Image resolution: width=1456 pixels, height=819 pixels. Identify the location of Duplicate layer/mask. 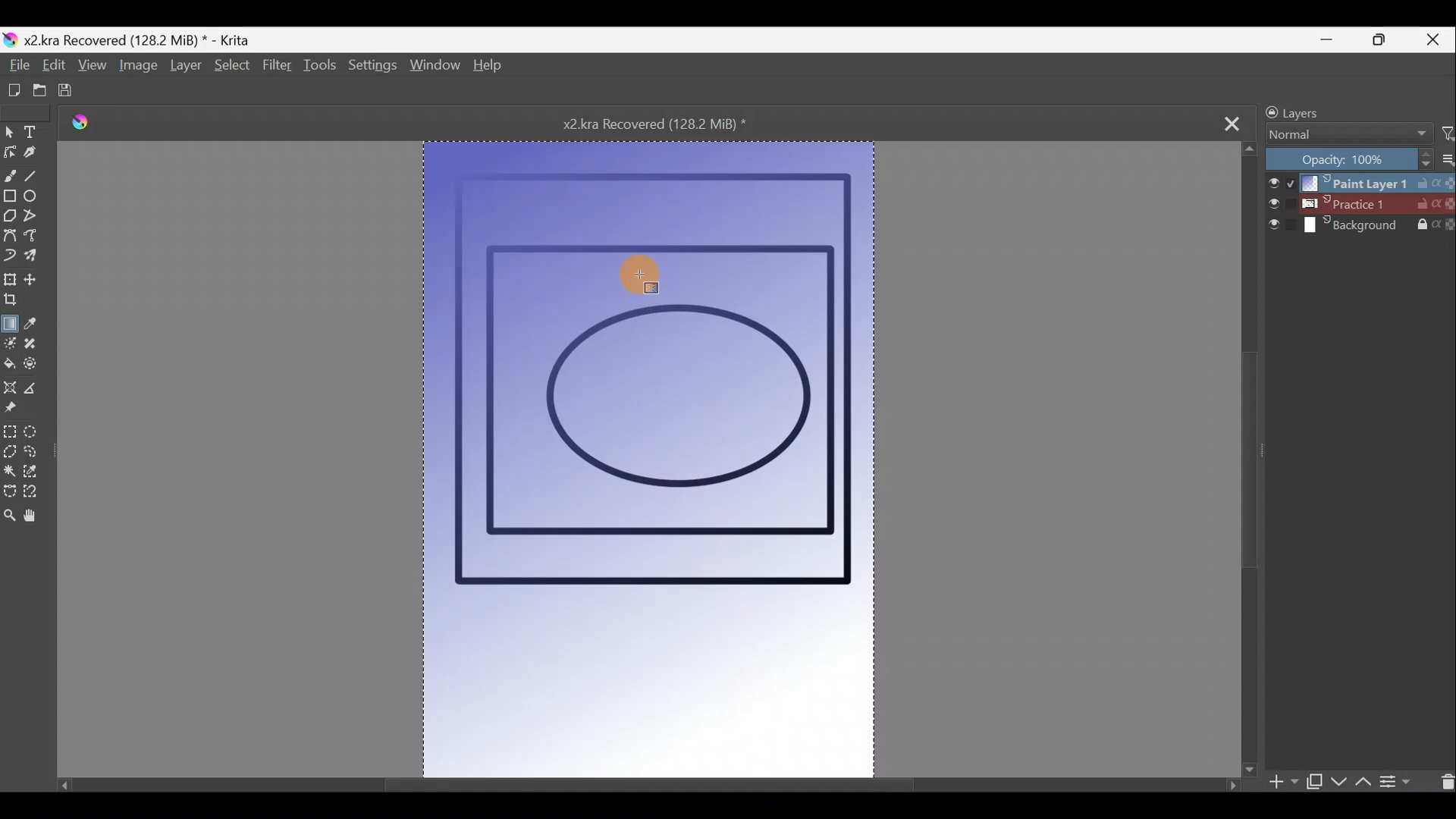
(1314, 785).